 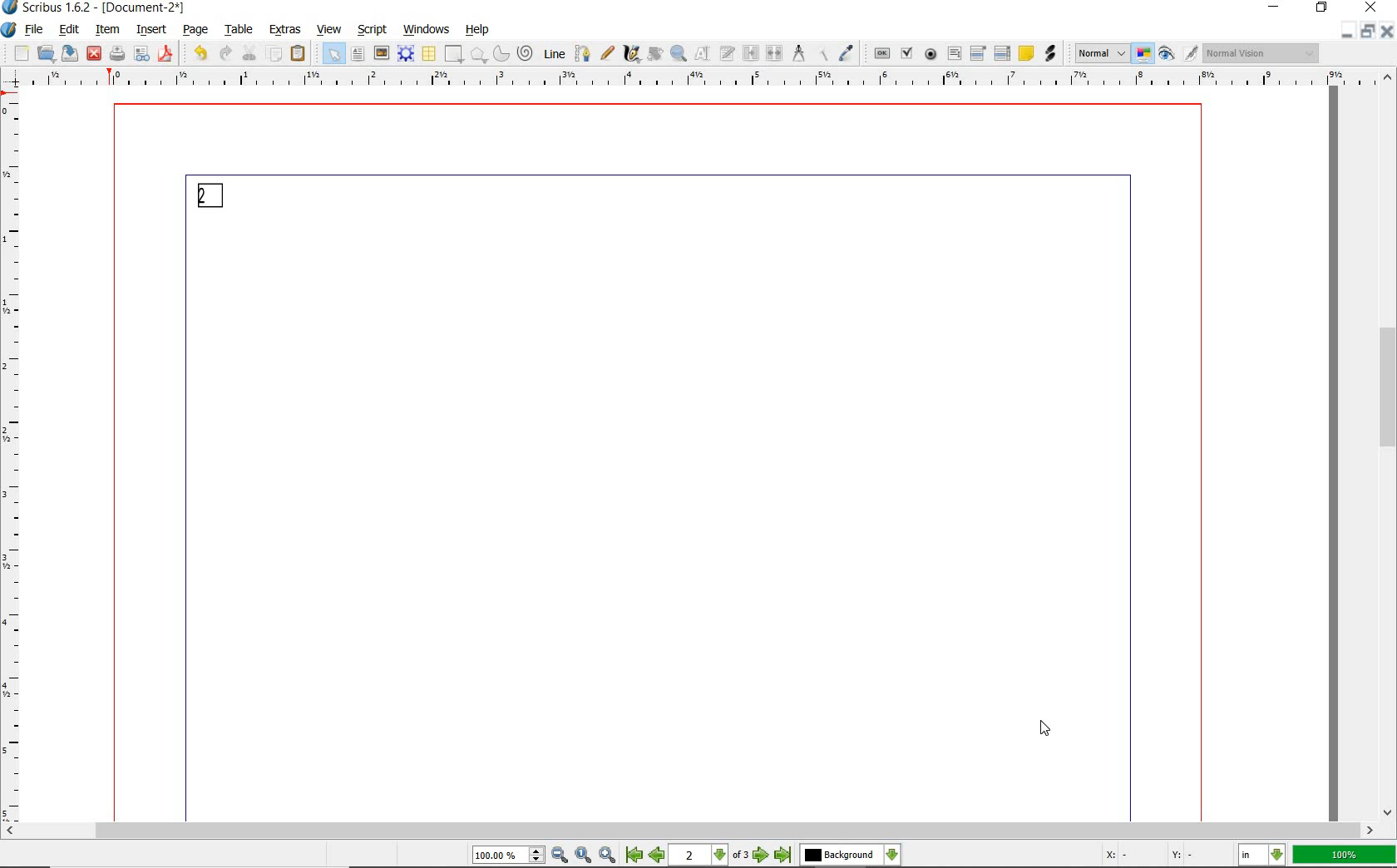 I want to click on zoom in or zoom out, so click(x=679, y=55).